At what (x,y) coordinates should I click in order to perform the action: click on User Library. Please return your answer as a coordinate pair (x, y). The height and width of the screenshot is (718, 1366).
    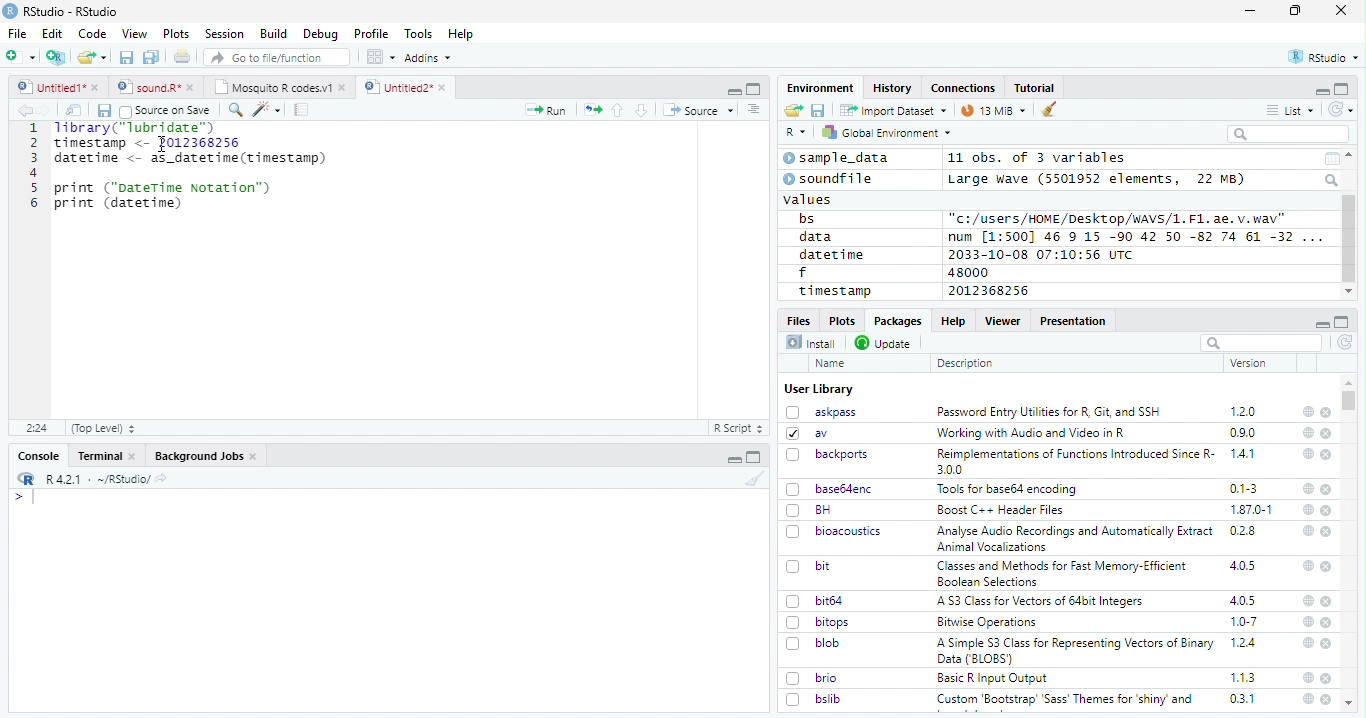
    Looking at the image, I should click on (819, 389).